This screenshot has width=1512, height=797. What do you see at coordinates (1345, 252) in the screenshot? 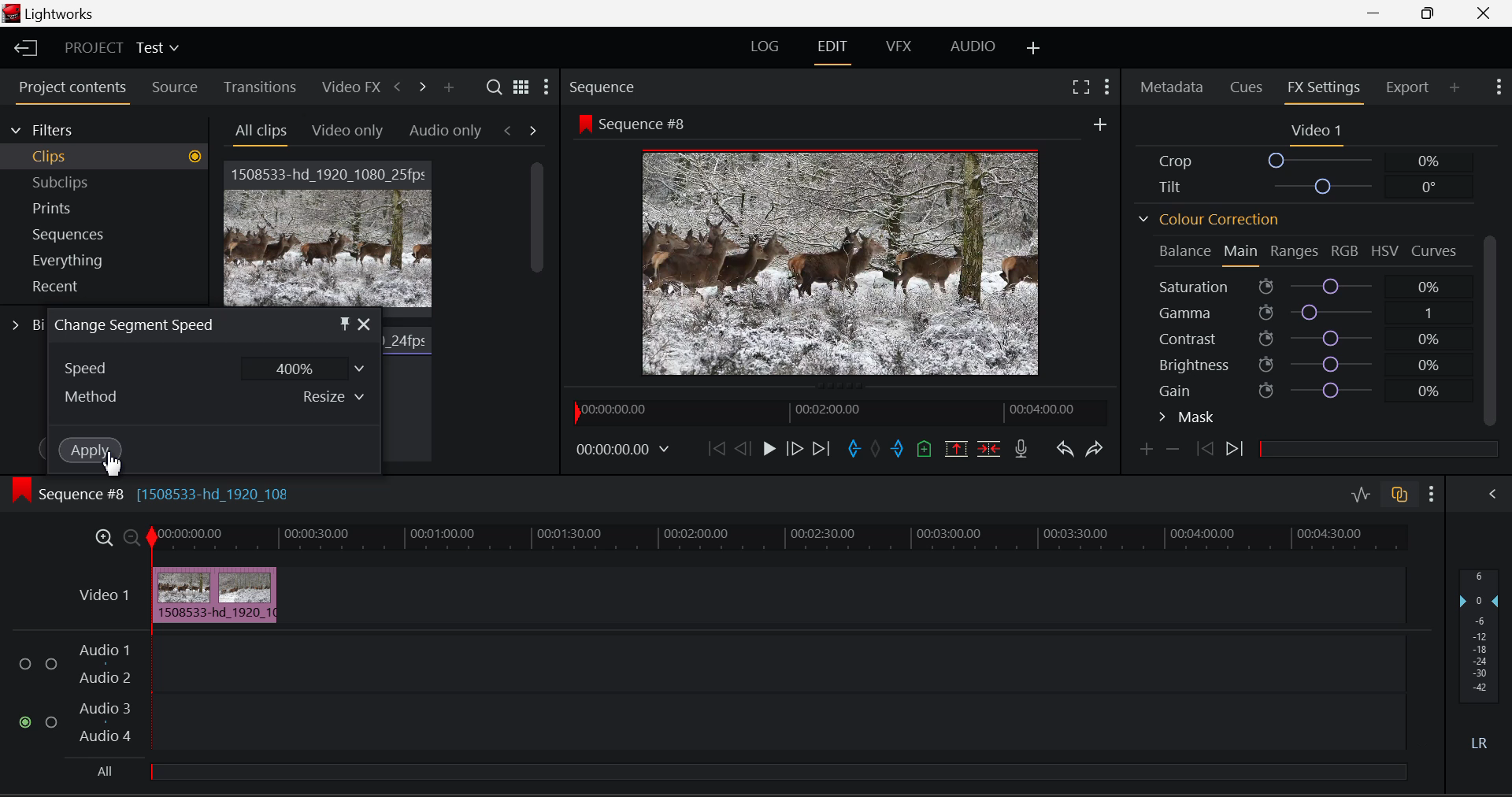
I see `RGB` at bounding box center [1345, 252].